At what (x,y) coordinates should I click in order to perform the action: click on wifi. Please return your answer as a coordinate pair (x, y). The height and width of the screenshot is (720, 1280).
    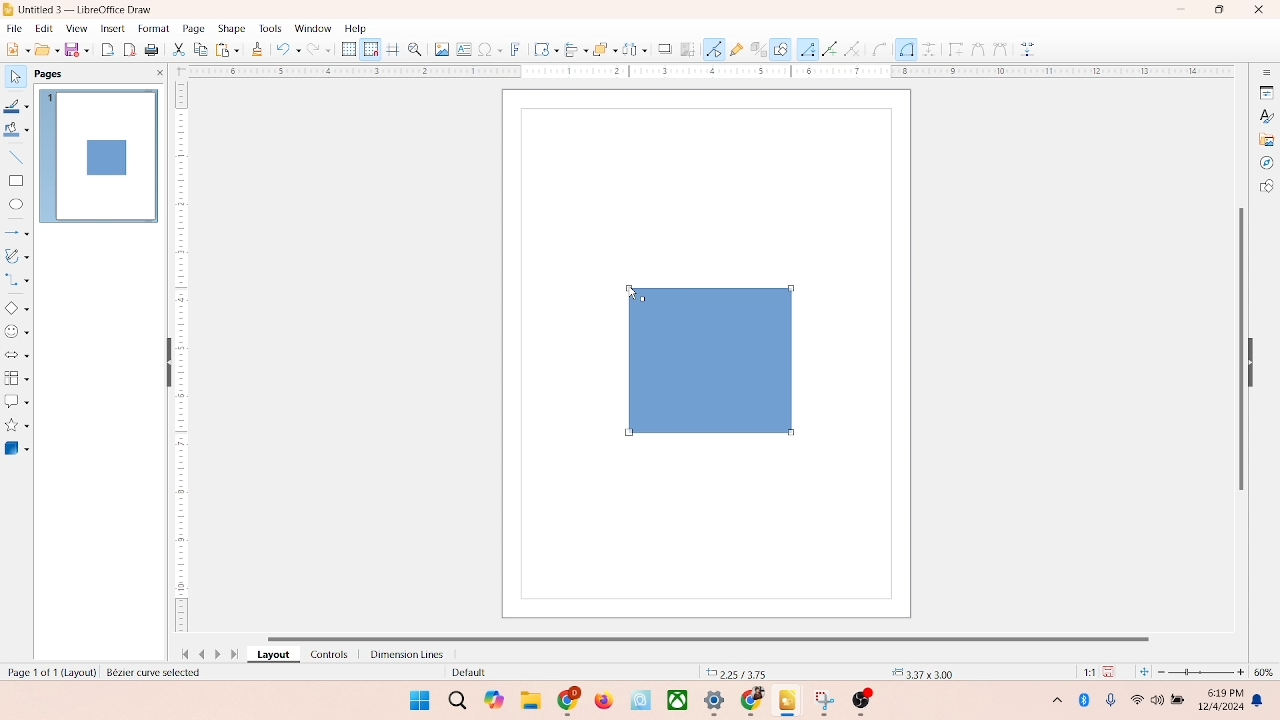
    Looking at the image, I should click on (1136, 696).